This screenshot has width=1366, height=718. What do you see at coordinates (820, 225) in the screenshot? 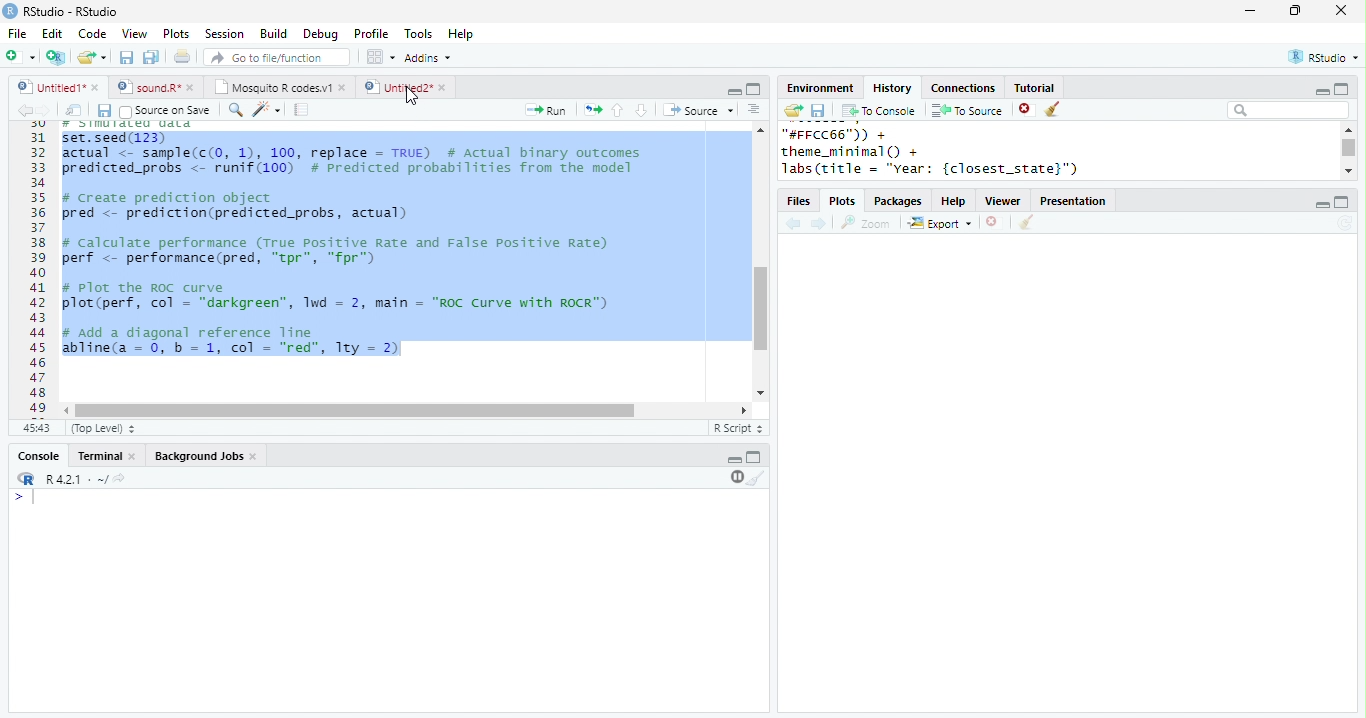
I see `forward` at bounding box center [820, 225].